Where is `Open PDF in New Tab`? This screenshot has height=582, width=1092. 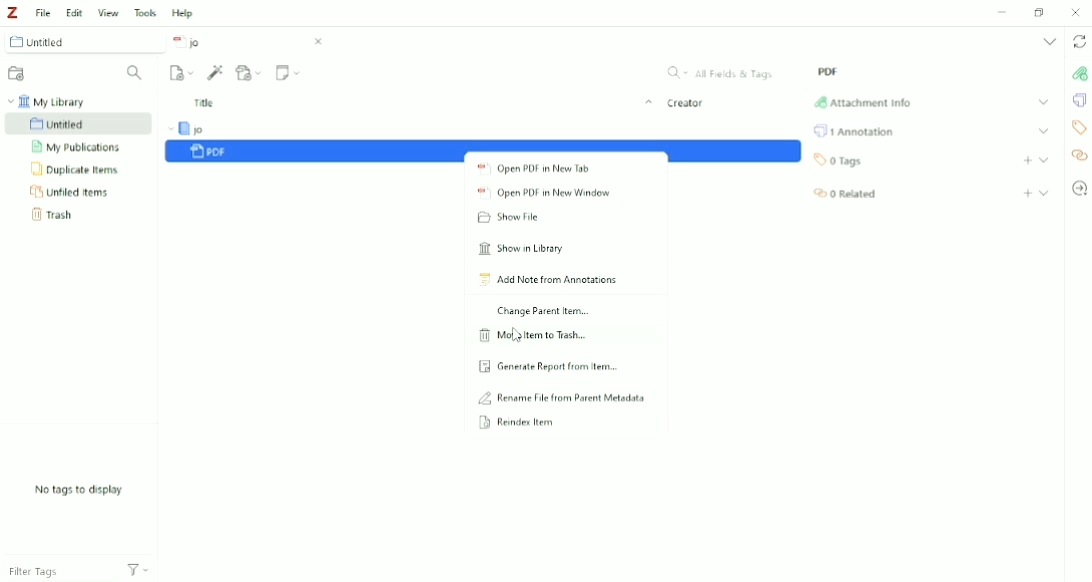
Open PDF in New Tab is located at coordinates (533, 170).